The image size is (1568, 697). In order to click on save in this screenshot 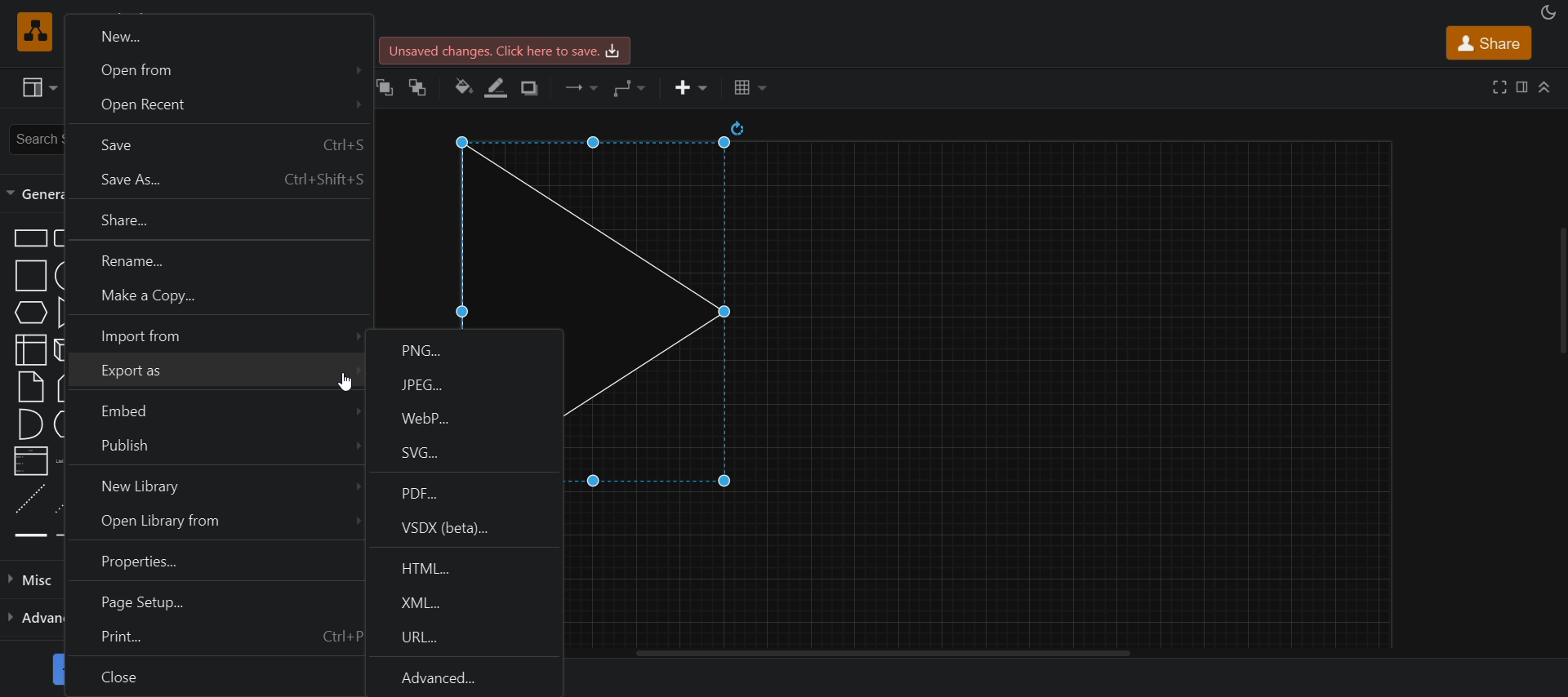, I will do `click(216, 144)`.